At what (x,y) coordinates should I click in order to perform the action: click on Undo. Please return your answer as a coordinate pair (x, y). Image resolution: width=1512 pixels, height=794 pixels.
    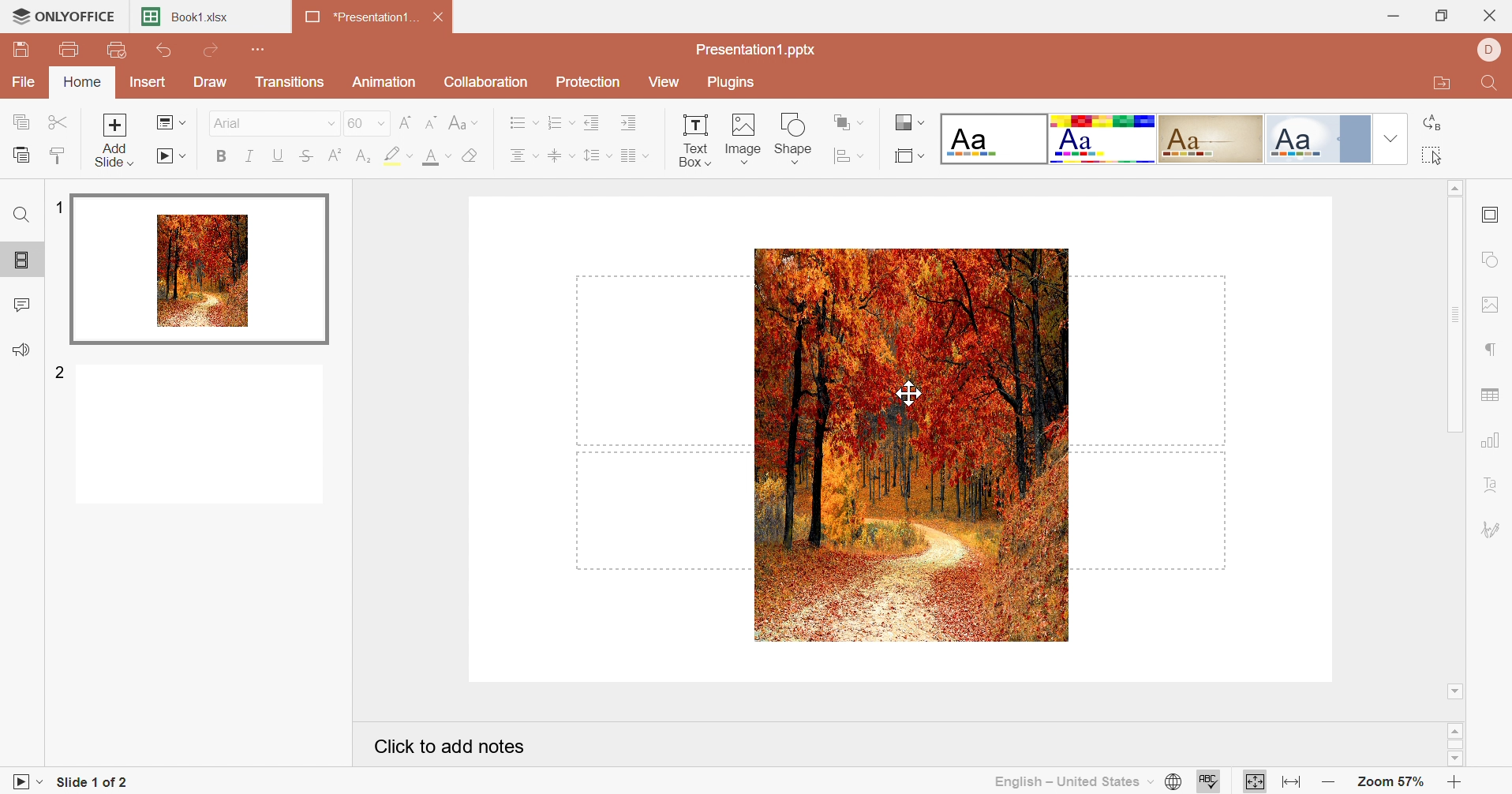
    Looking at the image, I should click on (165, 51).